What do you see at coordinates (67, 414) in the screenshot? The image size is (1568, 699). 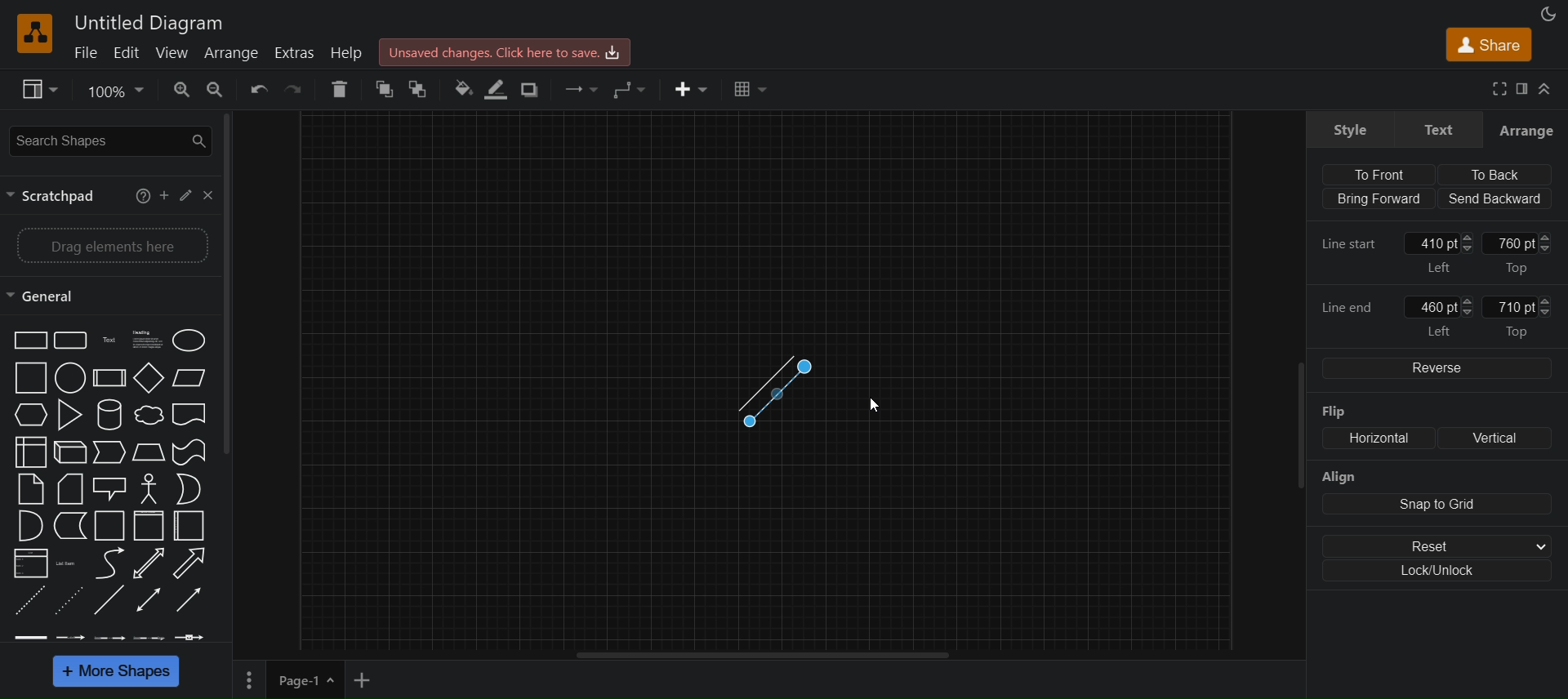 I see `Triangle` at bounding box center [67, 414].